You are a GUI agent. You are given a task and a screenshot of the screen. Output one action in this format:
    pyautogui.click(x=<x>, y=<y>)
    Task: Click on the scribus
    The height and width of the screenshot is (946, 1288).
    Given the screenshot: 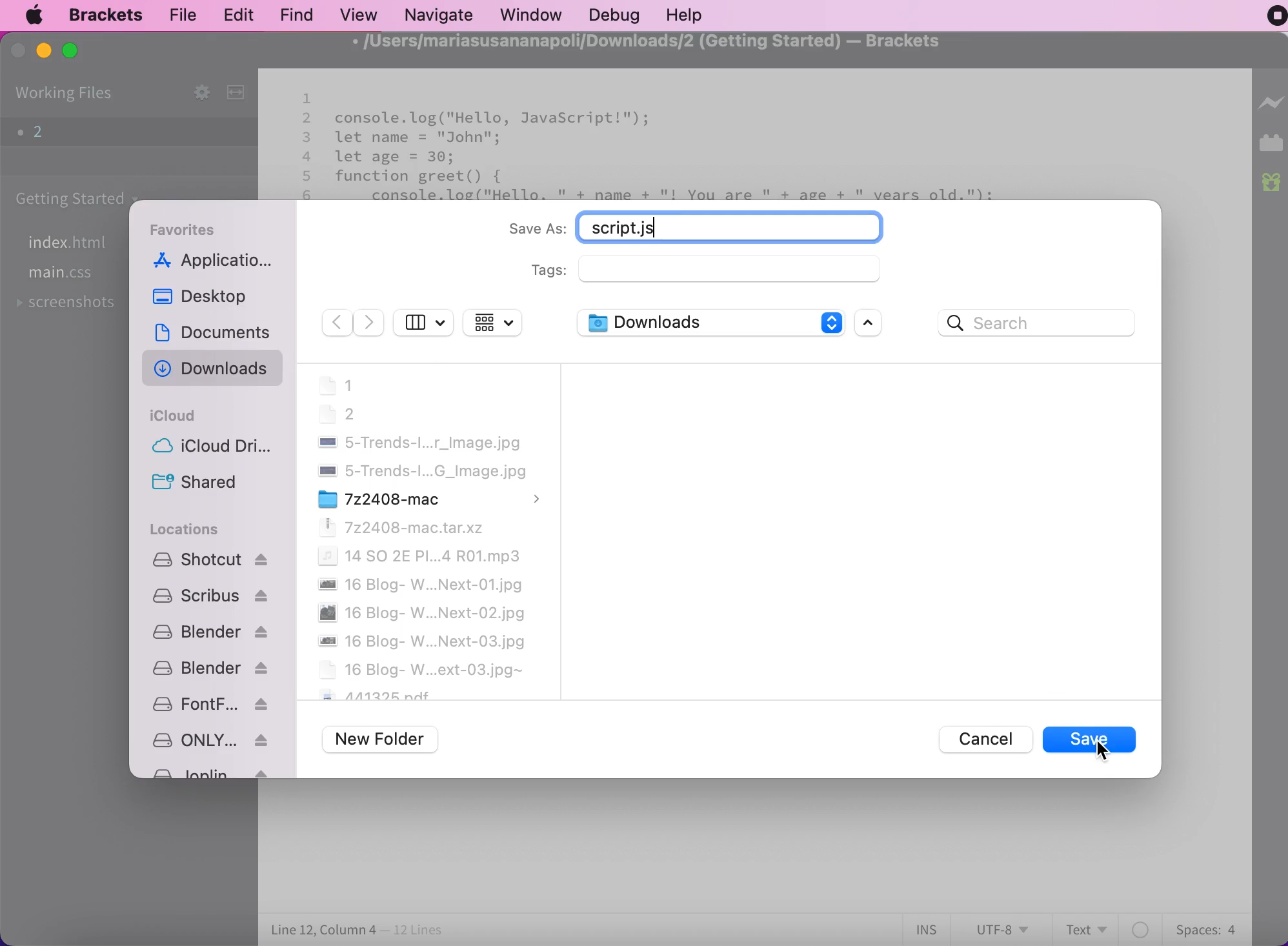 What is the action you would take?
    pyautogui.click(x=210, y=594)
    